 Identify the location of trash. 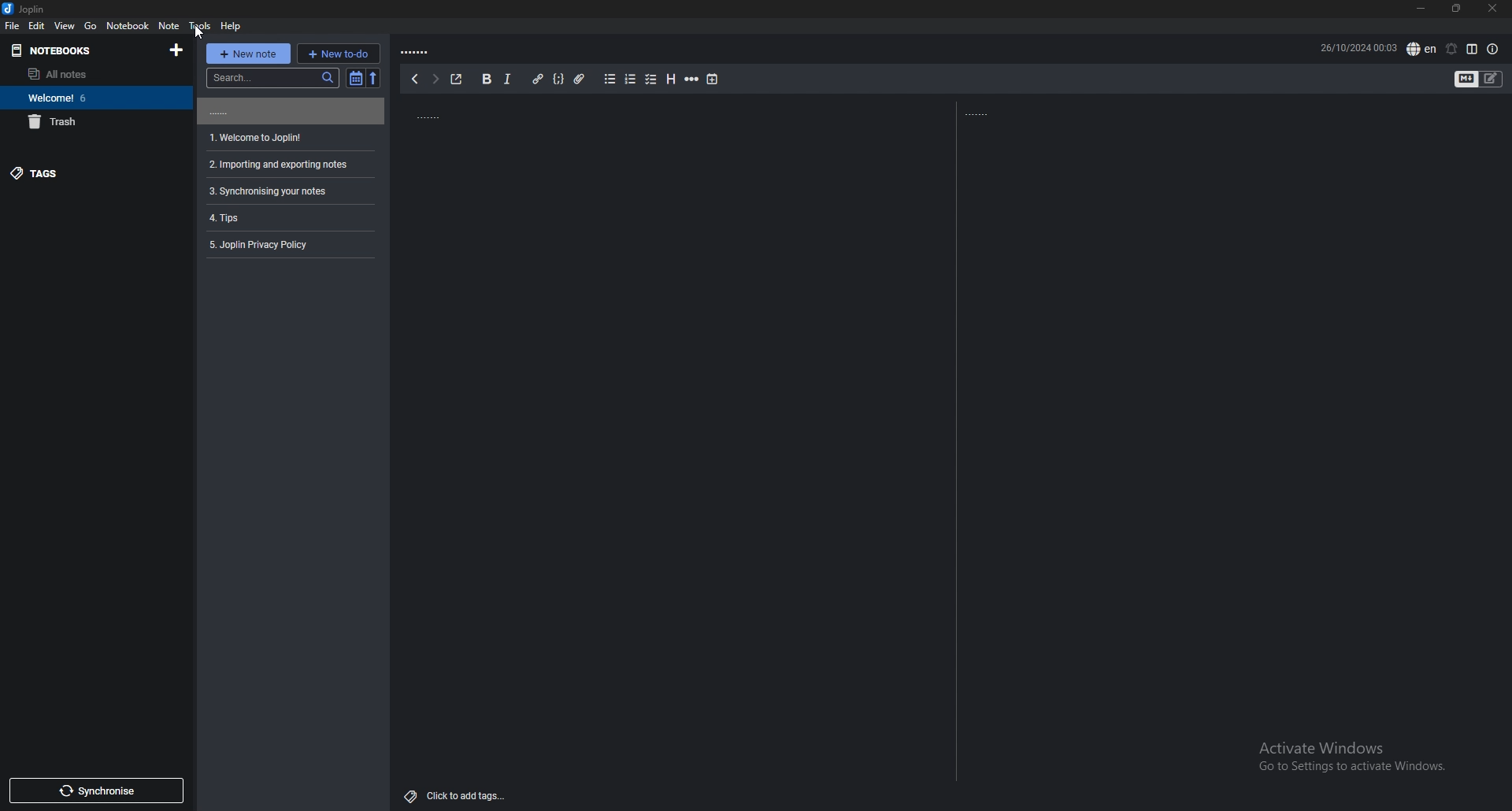
(91, 122).